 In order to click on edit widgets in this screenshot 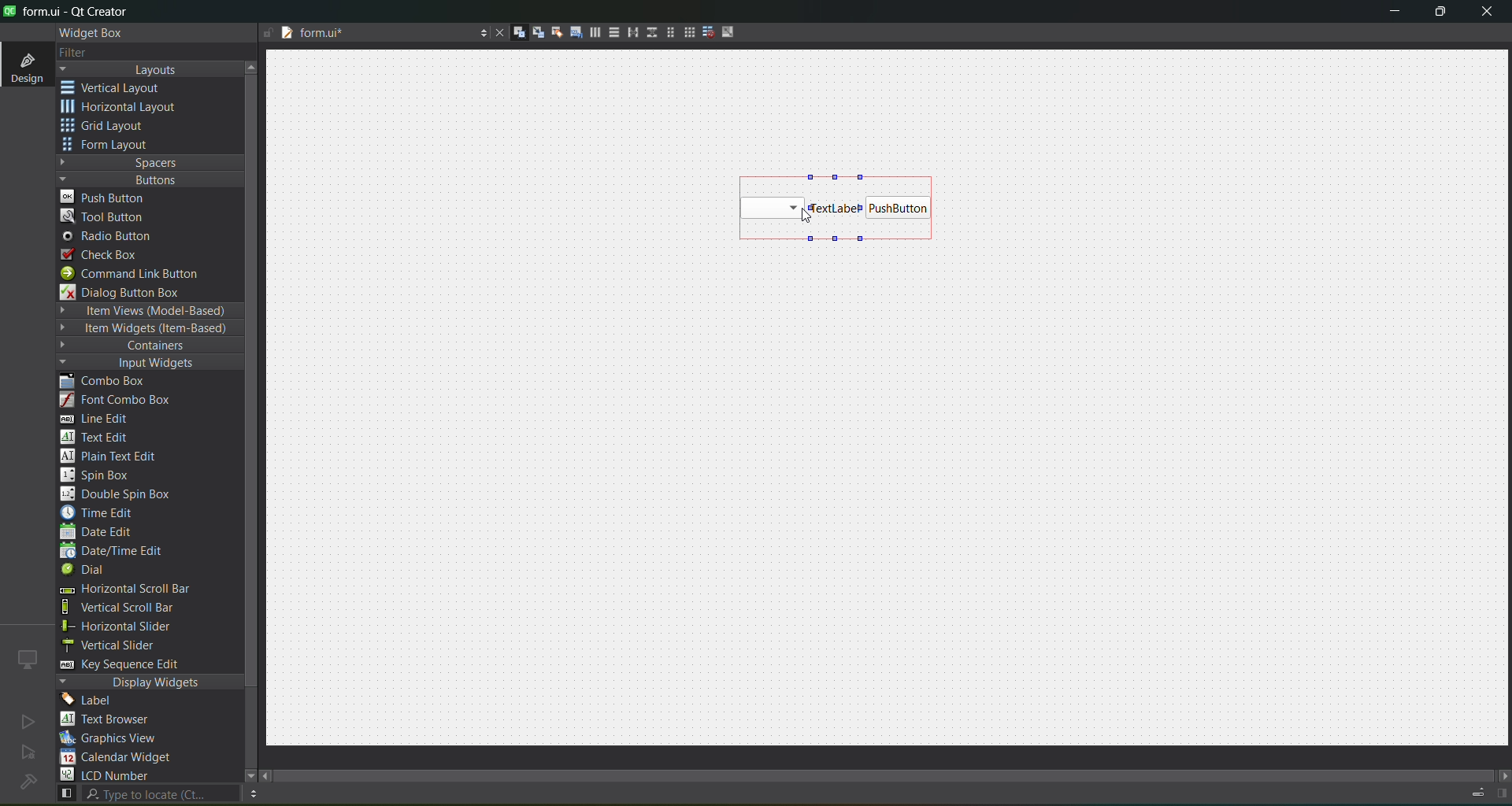, I will do `click(513, 33)`.